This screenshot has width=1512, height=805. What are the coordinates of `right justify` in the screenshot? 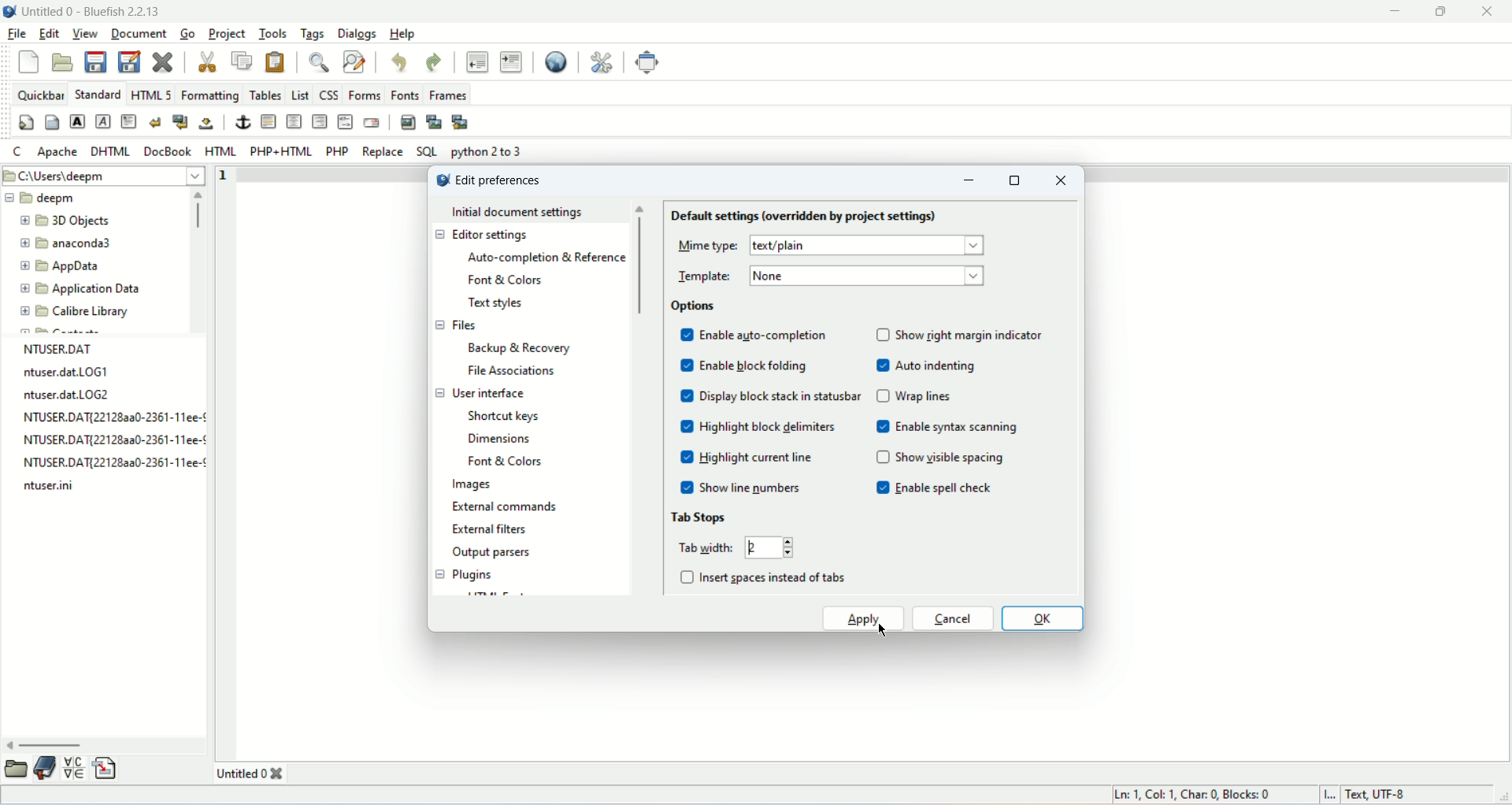 It's located at (318, 121).